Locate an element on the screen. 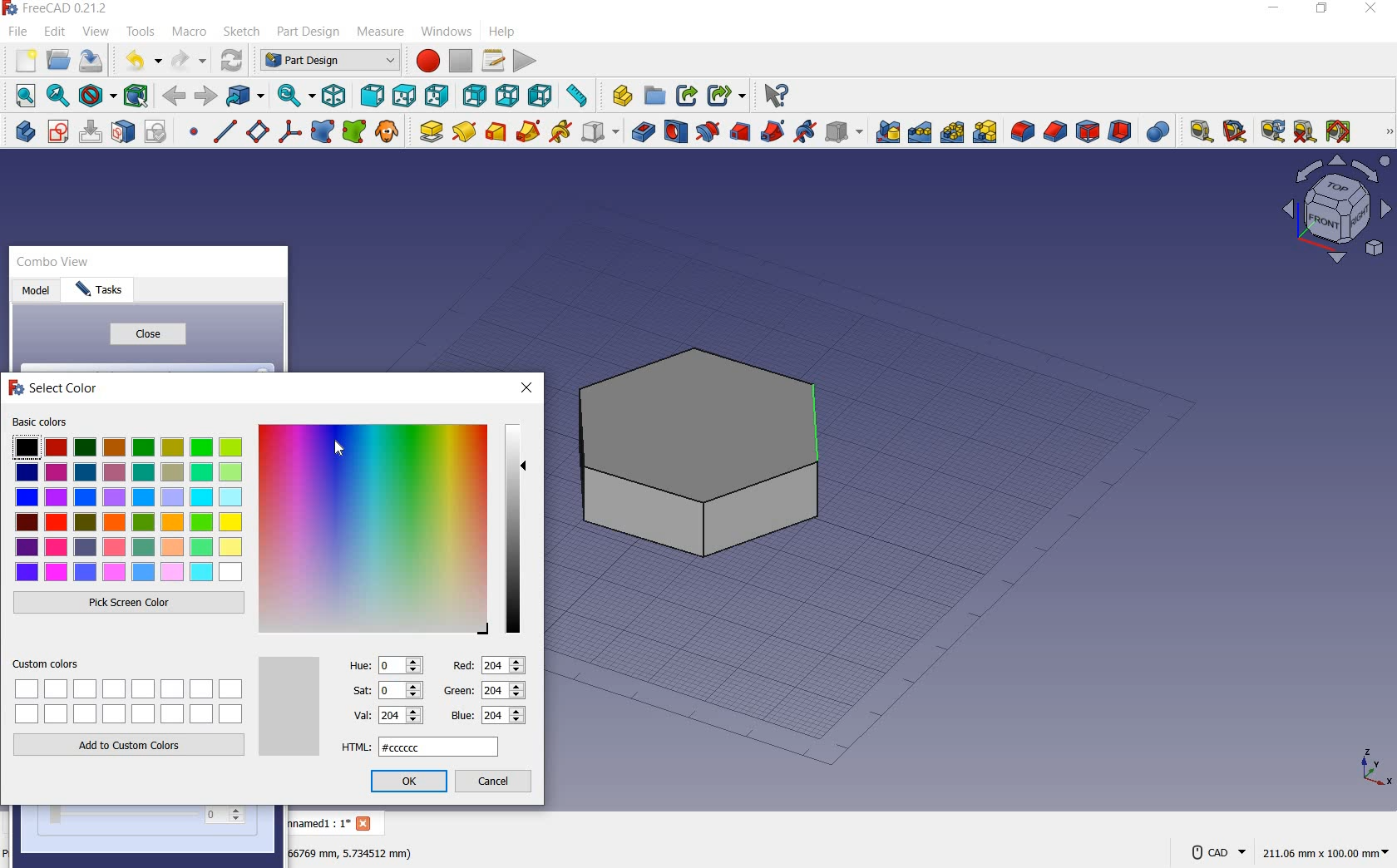 Image resolution: width=1397 pixels, height=868 pixels. Part Design (switch between workbenches) is located at coordinates (328, 61).